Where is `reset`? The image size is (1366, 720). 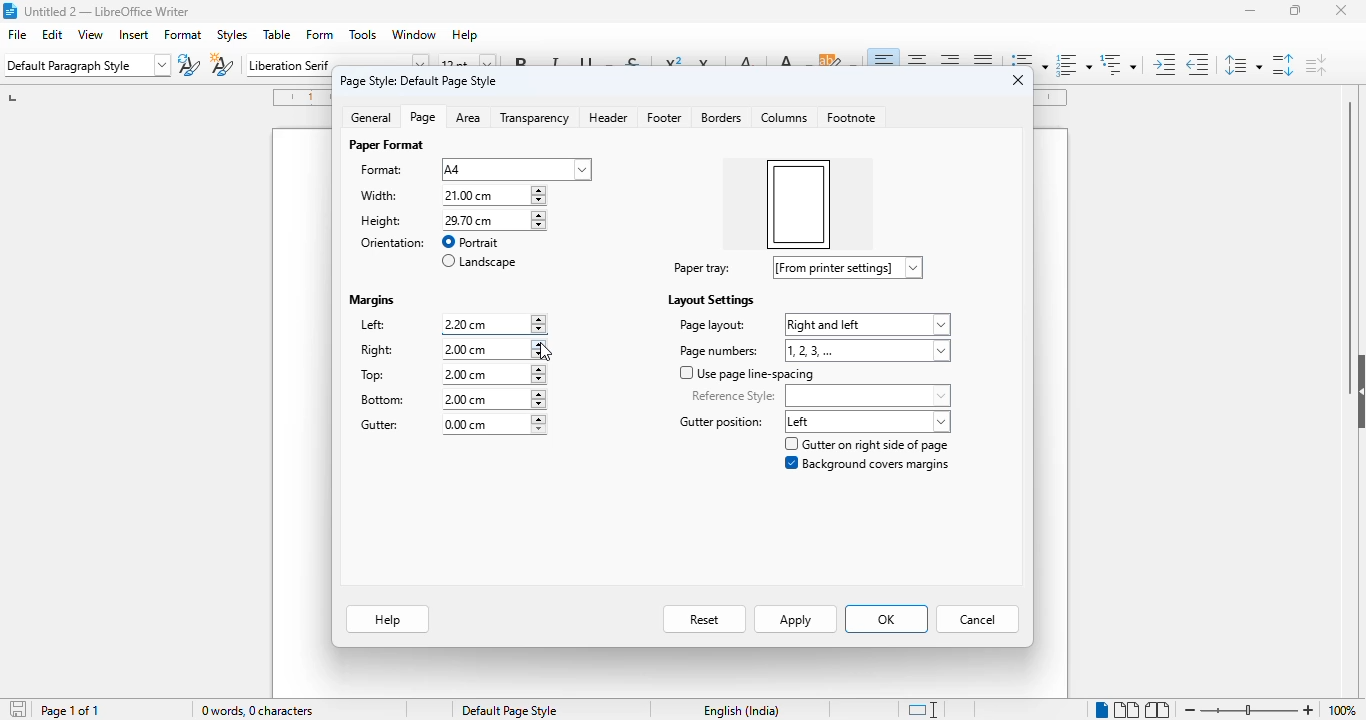
reset is located at coordinates (702, 619).